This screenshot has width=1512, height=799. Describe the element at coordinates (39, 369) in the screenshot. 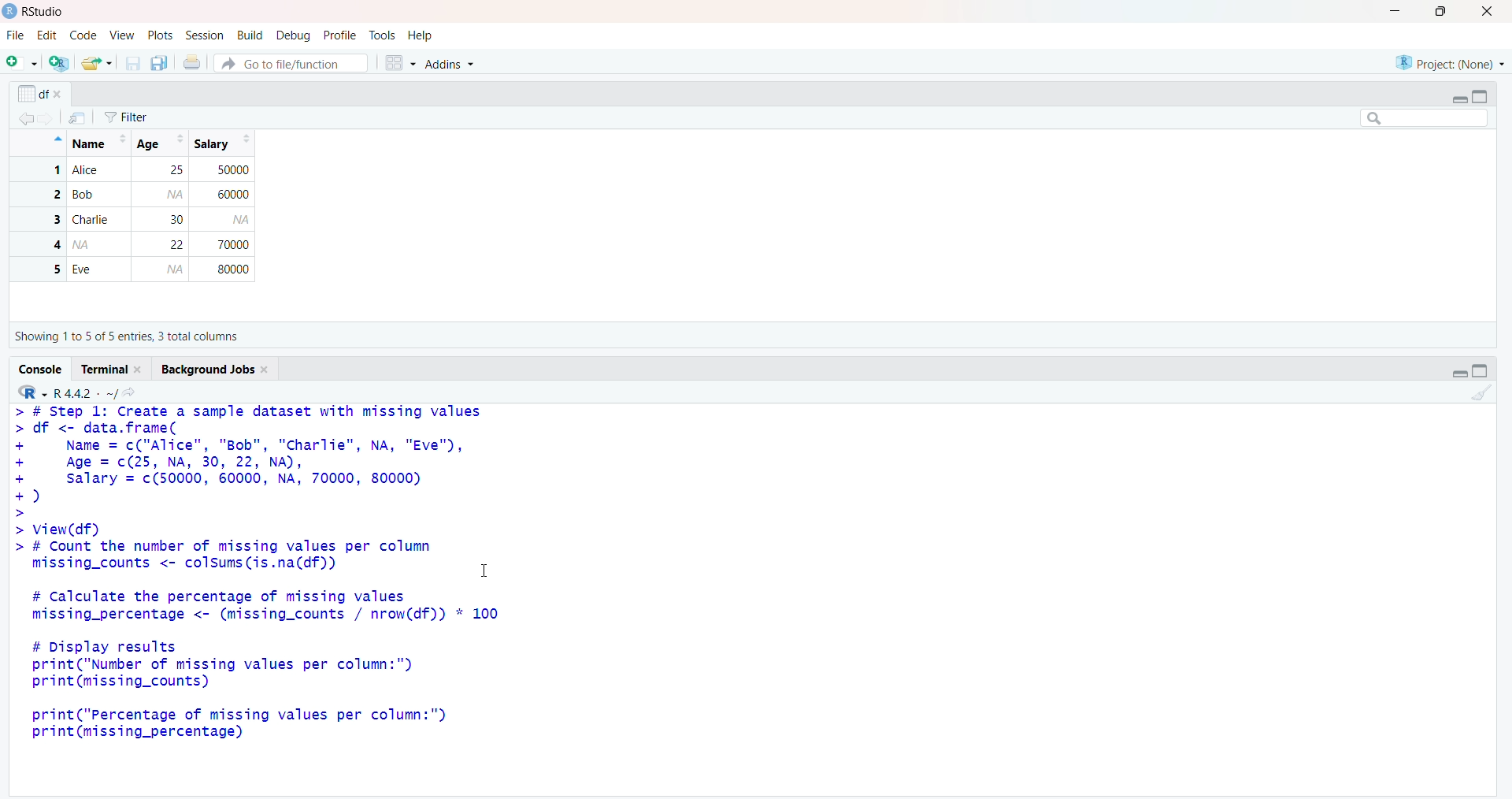

I see `Console` at that location.